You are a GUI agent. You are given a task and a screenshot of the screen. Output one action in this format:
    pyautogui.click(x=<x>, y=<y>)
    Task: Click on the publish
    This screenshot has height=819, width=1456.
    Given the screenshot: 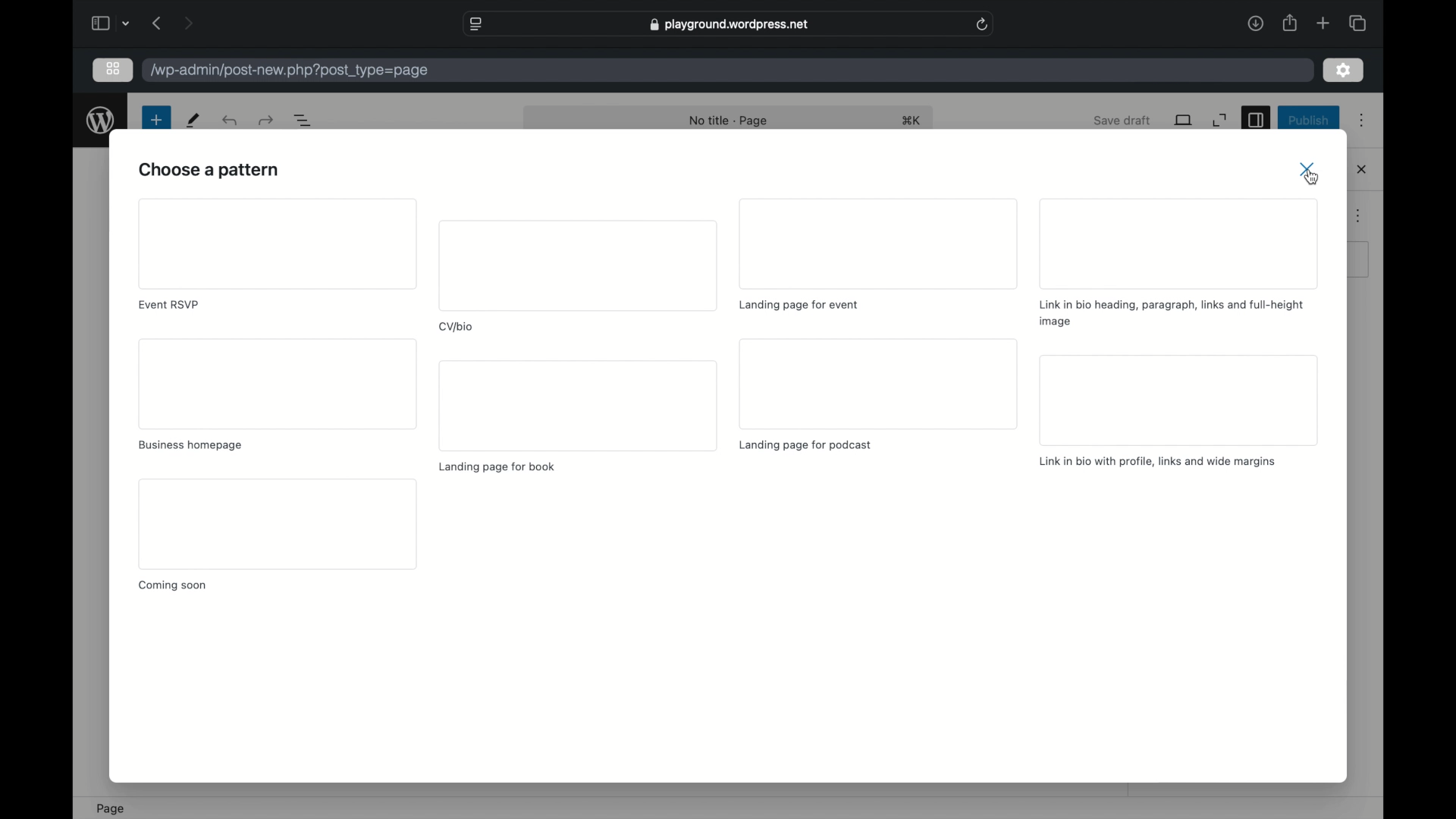 What is the action you would take?
    pyautogui.click(x=1309, y=121)
    